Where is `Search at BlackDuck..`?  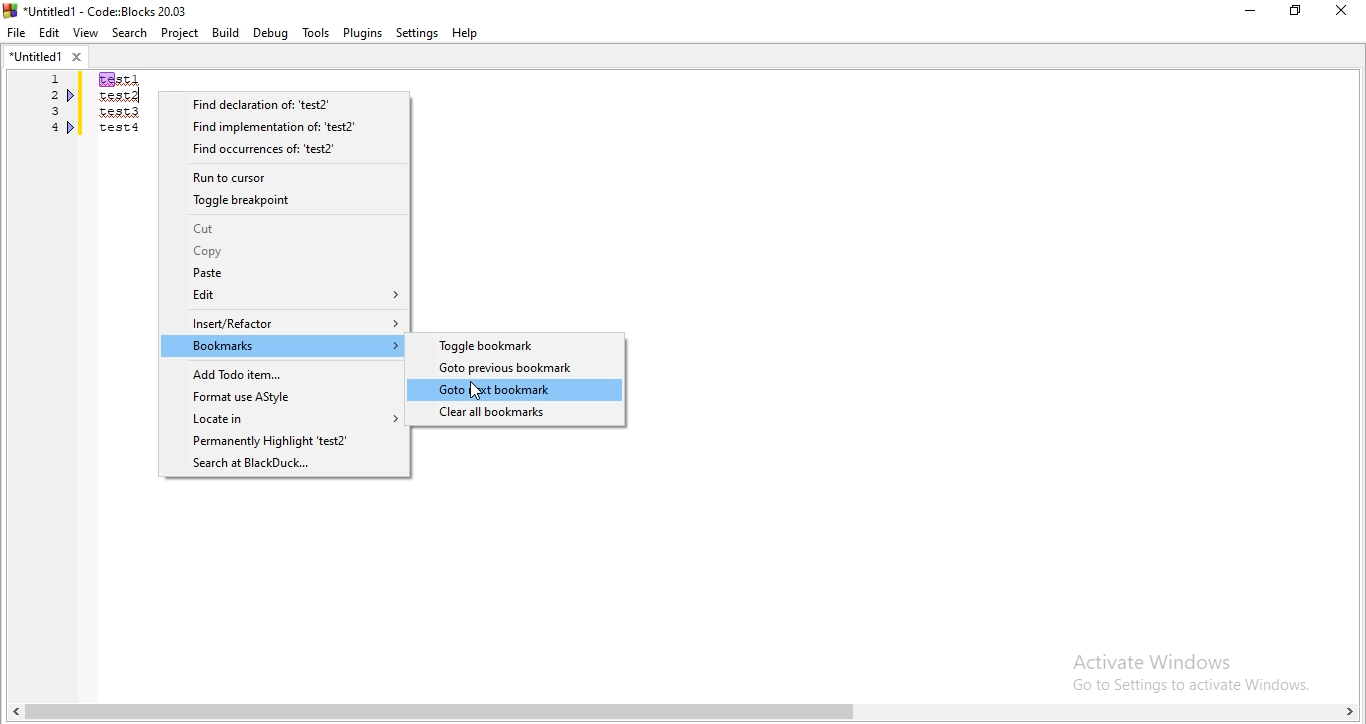 Search at BlackDuck.. is located at coordinates (284, 465).